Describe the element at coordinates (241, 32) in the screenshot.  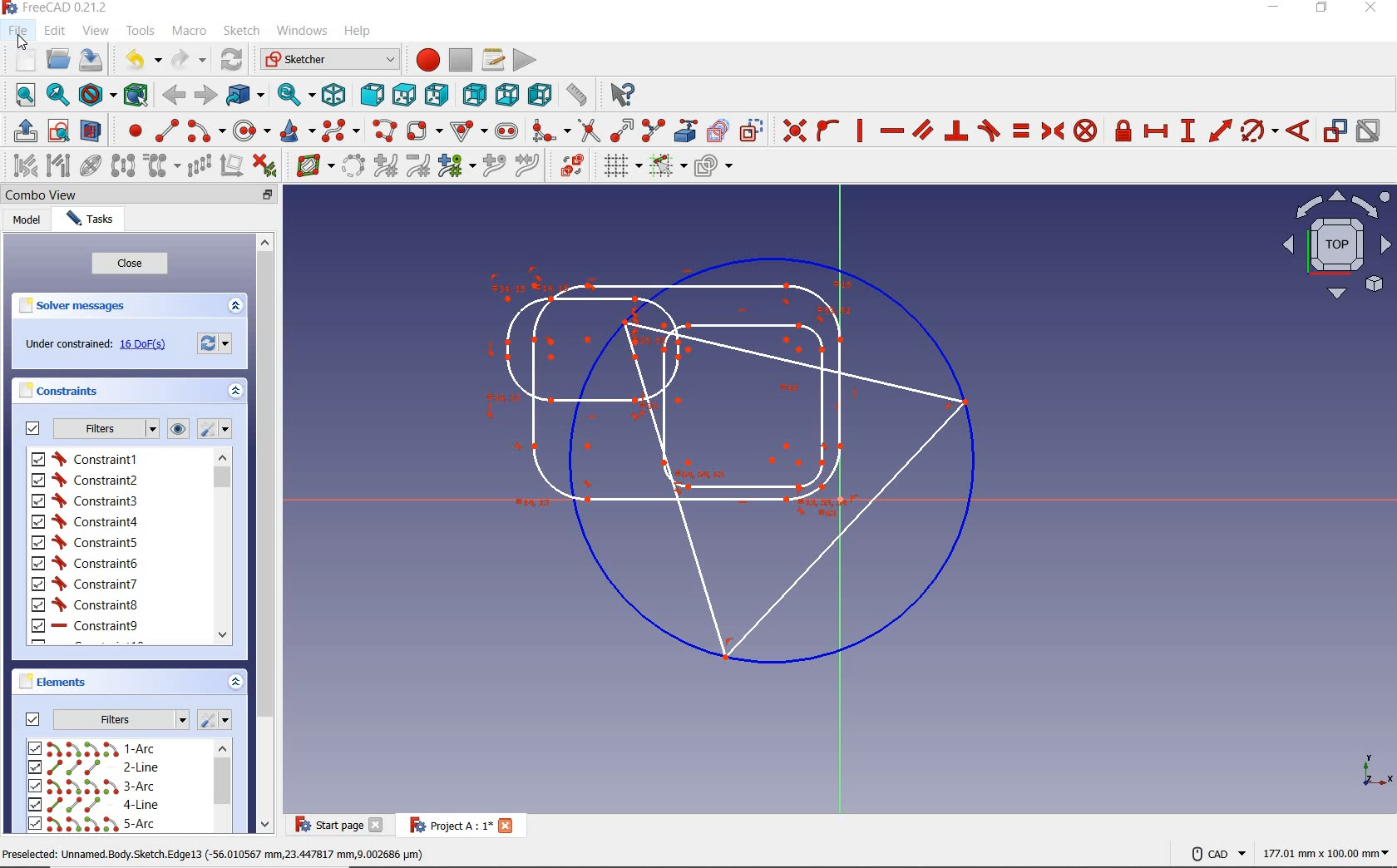
I see `sketch` at that location.